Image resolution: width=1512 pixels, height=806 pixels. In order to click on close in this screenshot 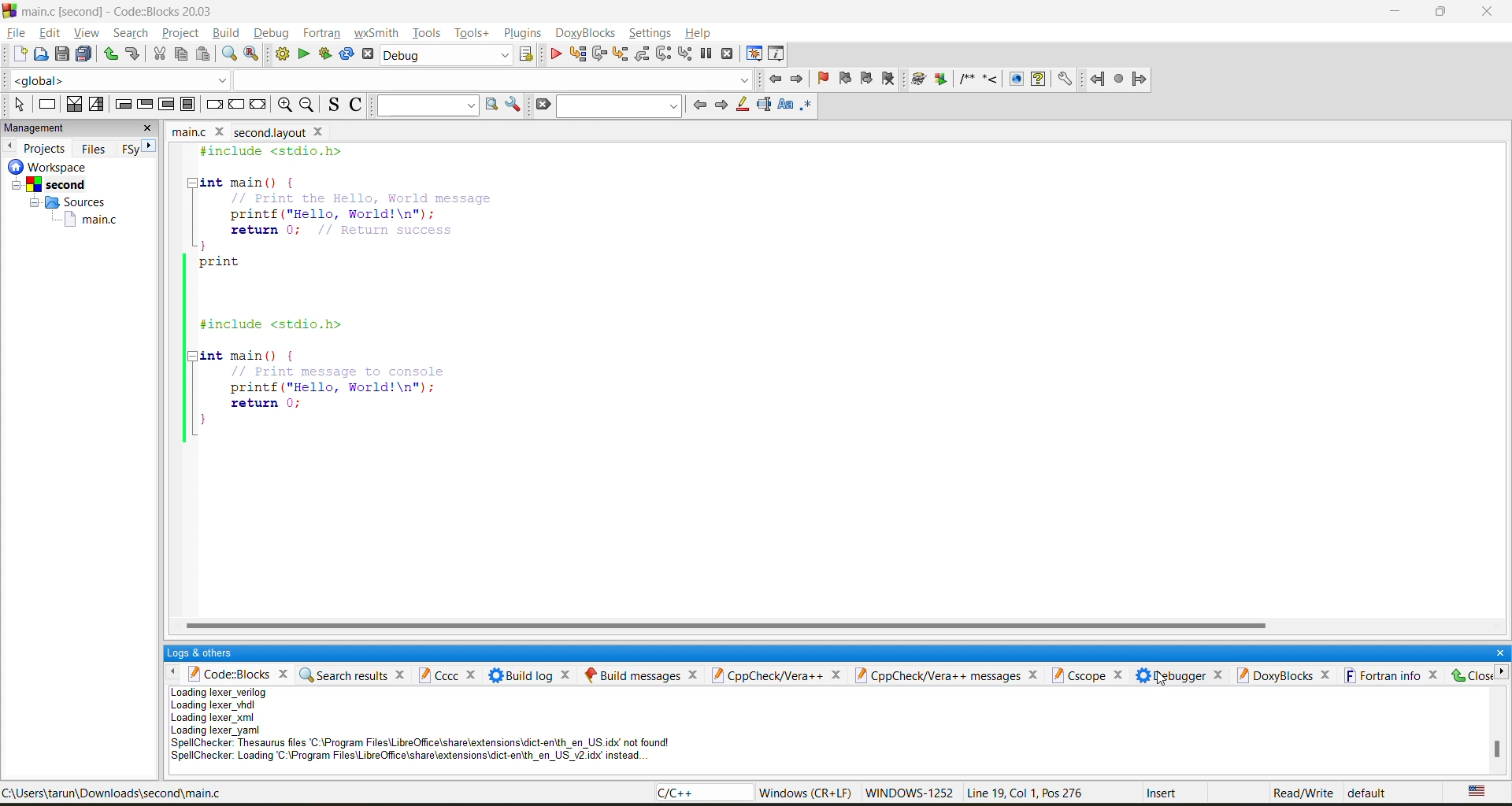, I will do `click(1498, 650)`.